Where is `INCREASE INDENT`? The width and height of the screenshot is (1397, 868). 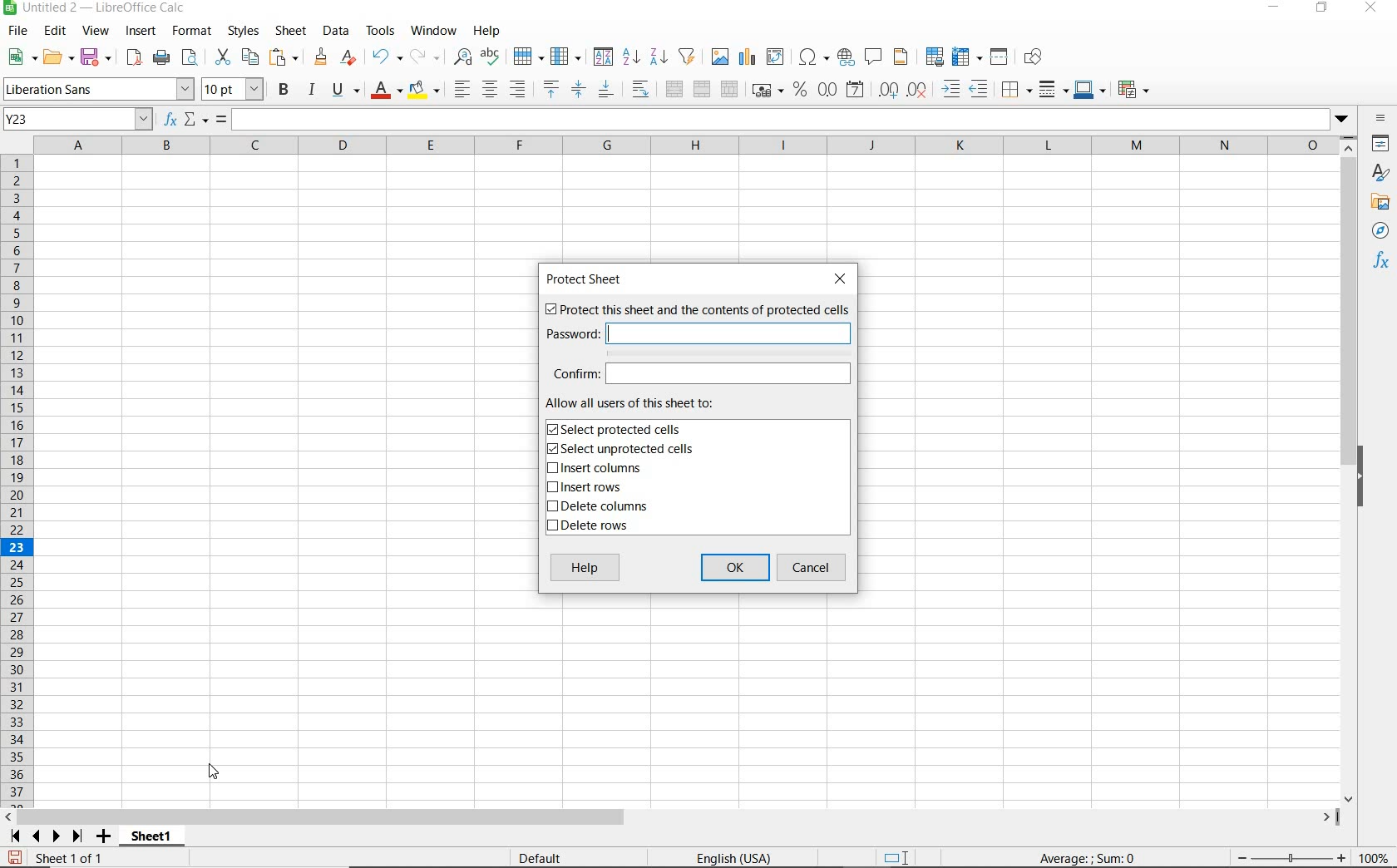
INCREASE INDENT is located at coordinates (951, 91).